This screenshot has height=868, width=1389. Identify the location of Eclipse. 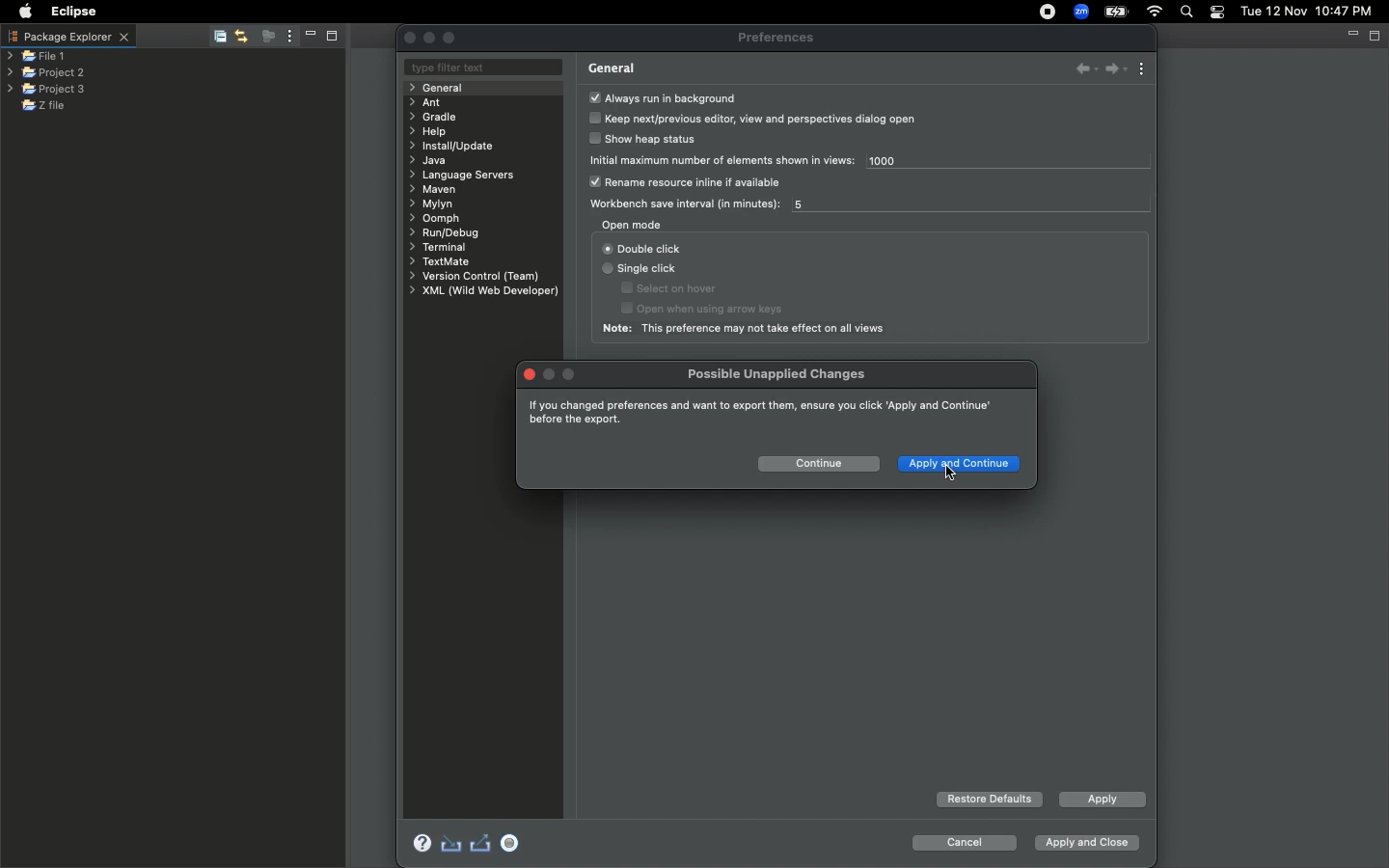
(75, 14).